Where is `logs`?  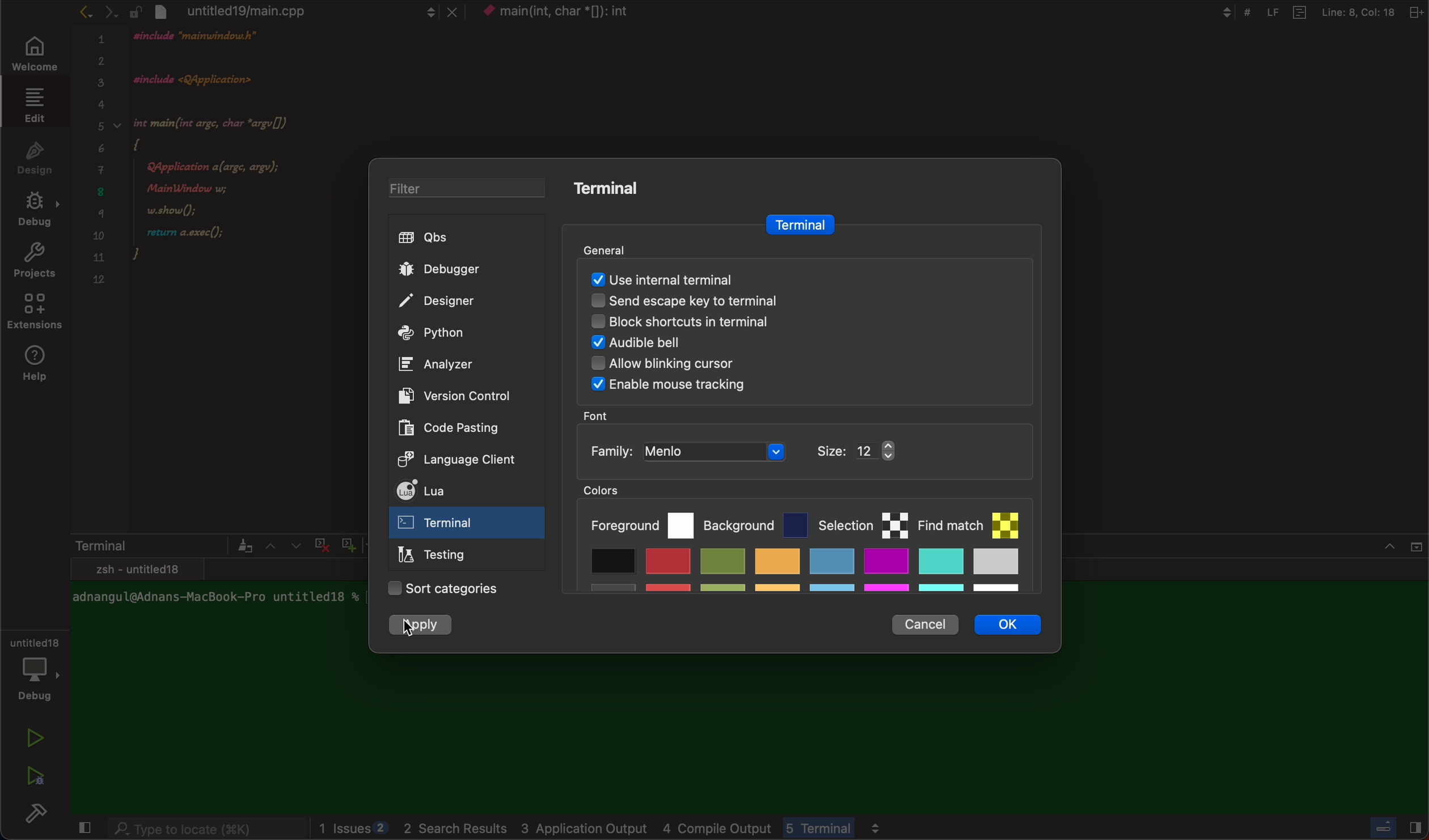 logs is located at coordinates (674, 829).